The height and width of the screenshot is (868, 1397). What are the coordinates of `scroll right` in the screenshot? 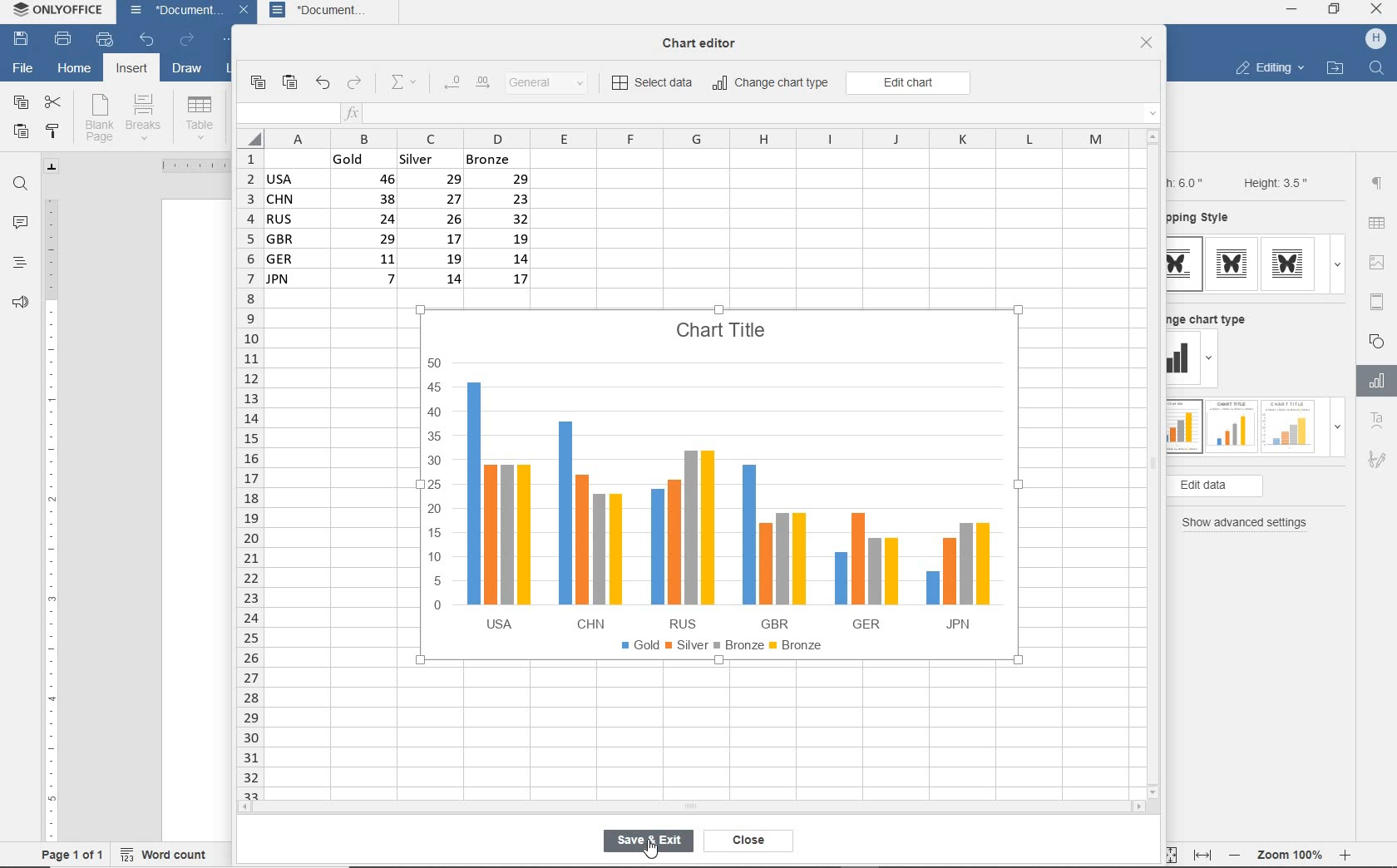 It's located at (1142, 807).